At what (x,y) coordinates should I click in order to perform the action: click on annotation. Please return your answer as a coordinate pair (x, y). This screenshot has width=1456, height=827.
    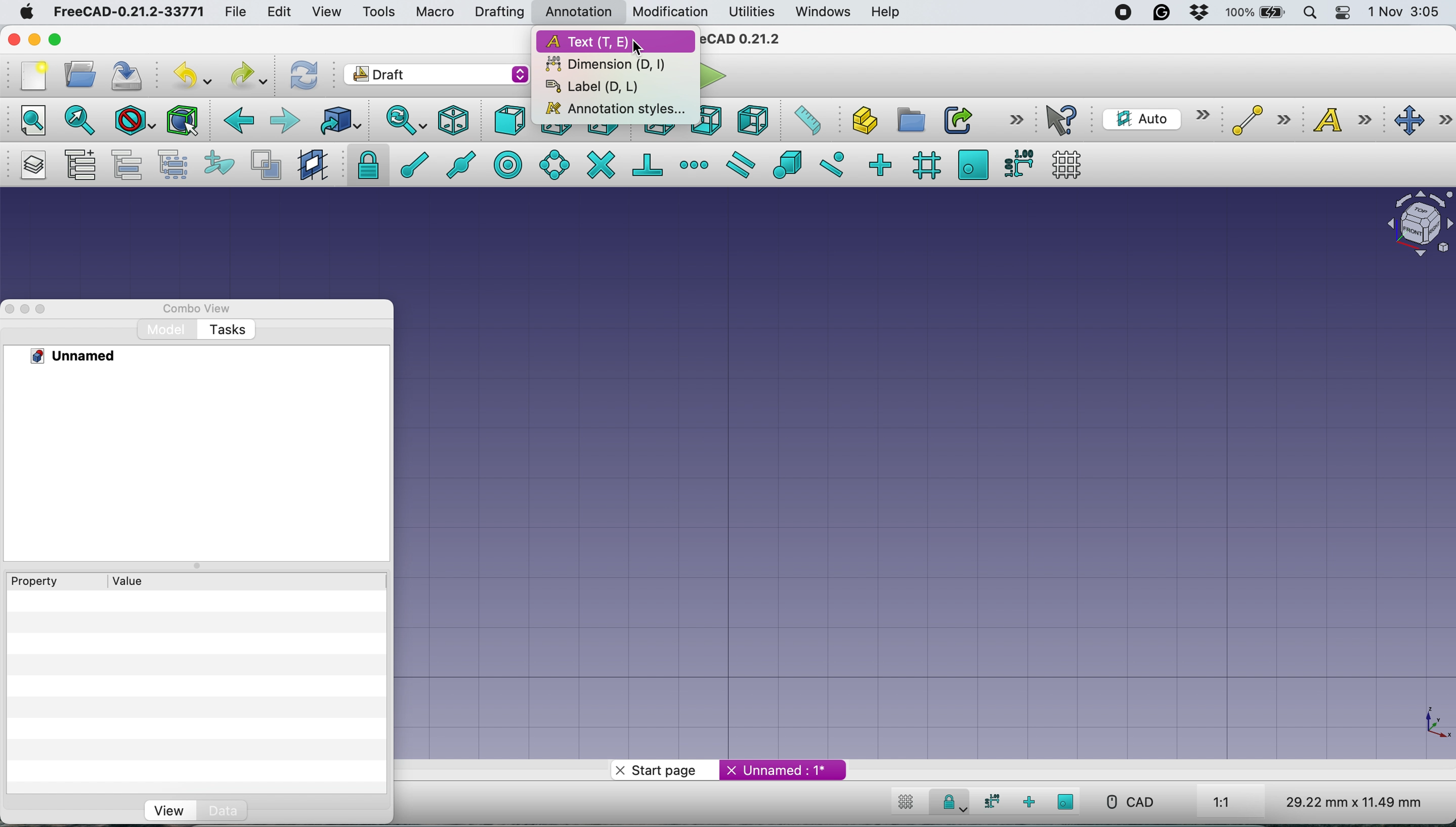
    Looking at the image, I should click on (576, 13).